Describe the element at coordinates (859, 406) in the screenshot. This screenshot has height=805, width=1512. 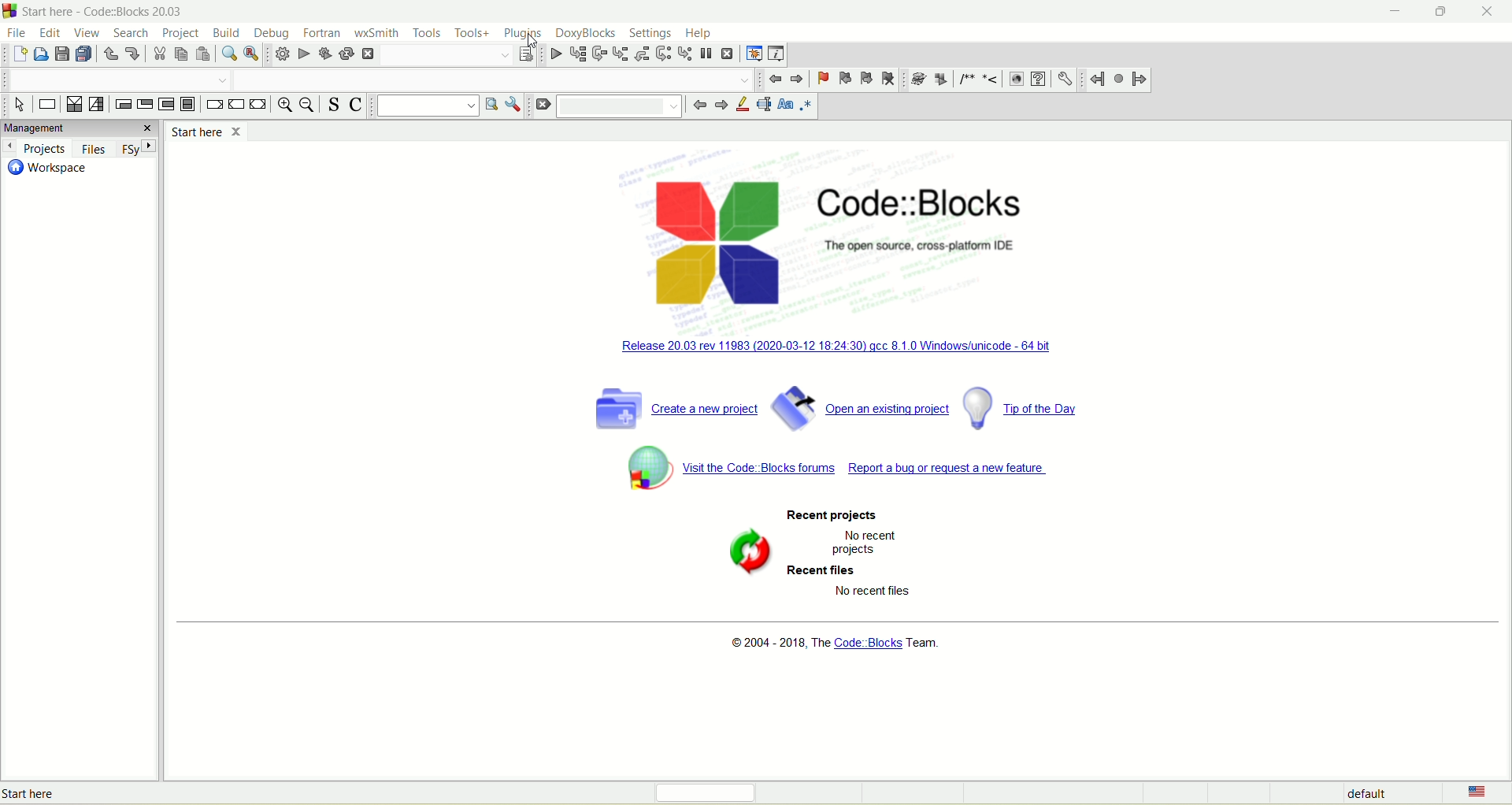
I see `open an existing project` at that location.